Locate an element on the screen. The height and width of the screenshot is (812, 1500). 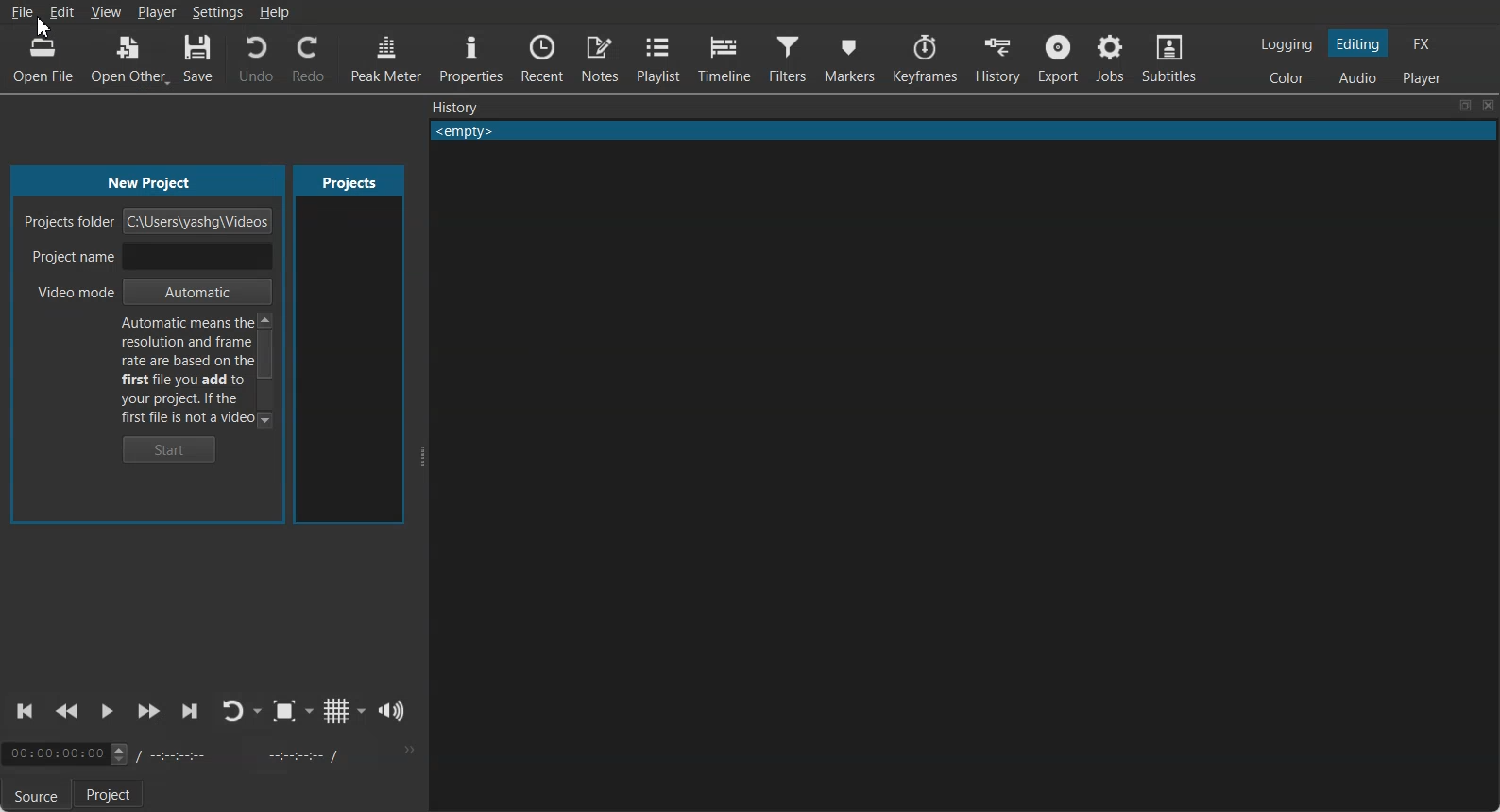
Save is located at coordinates (198, 58).